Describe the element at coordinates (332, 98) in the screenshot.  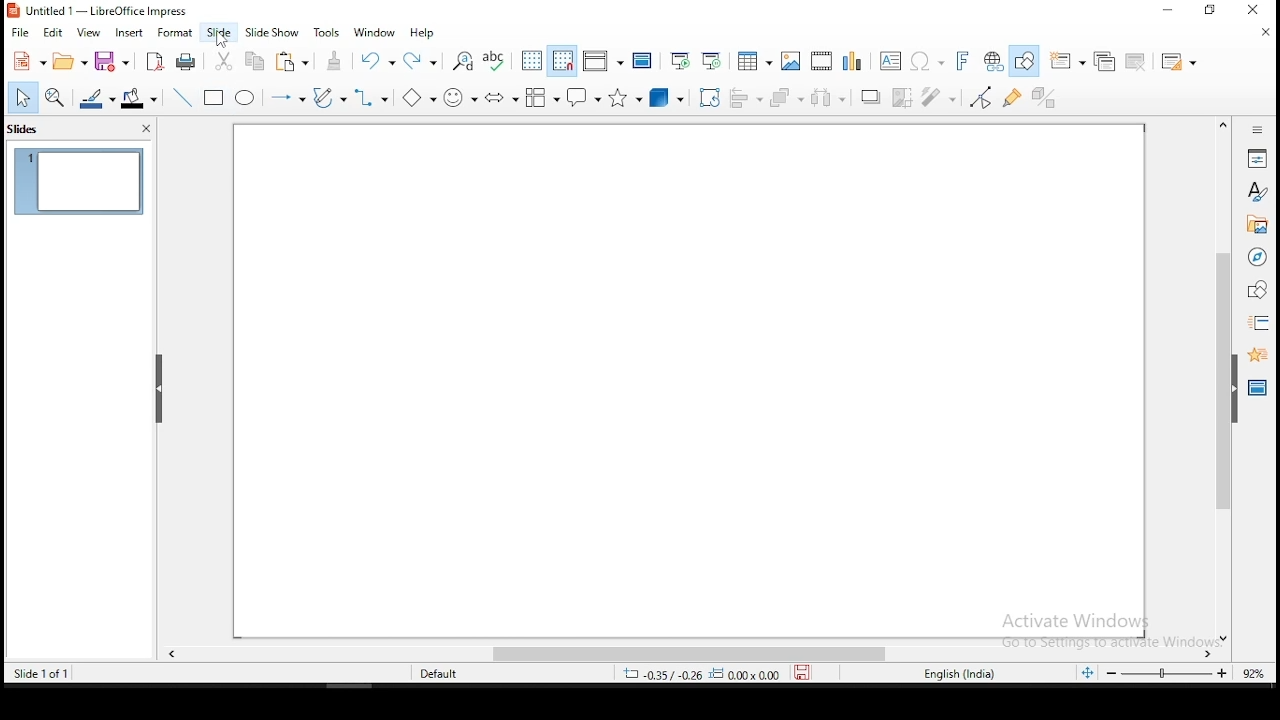
I see `curves and polygons` at that location.